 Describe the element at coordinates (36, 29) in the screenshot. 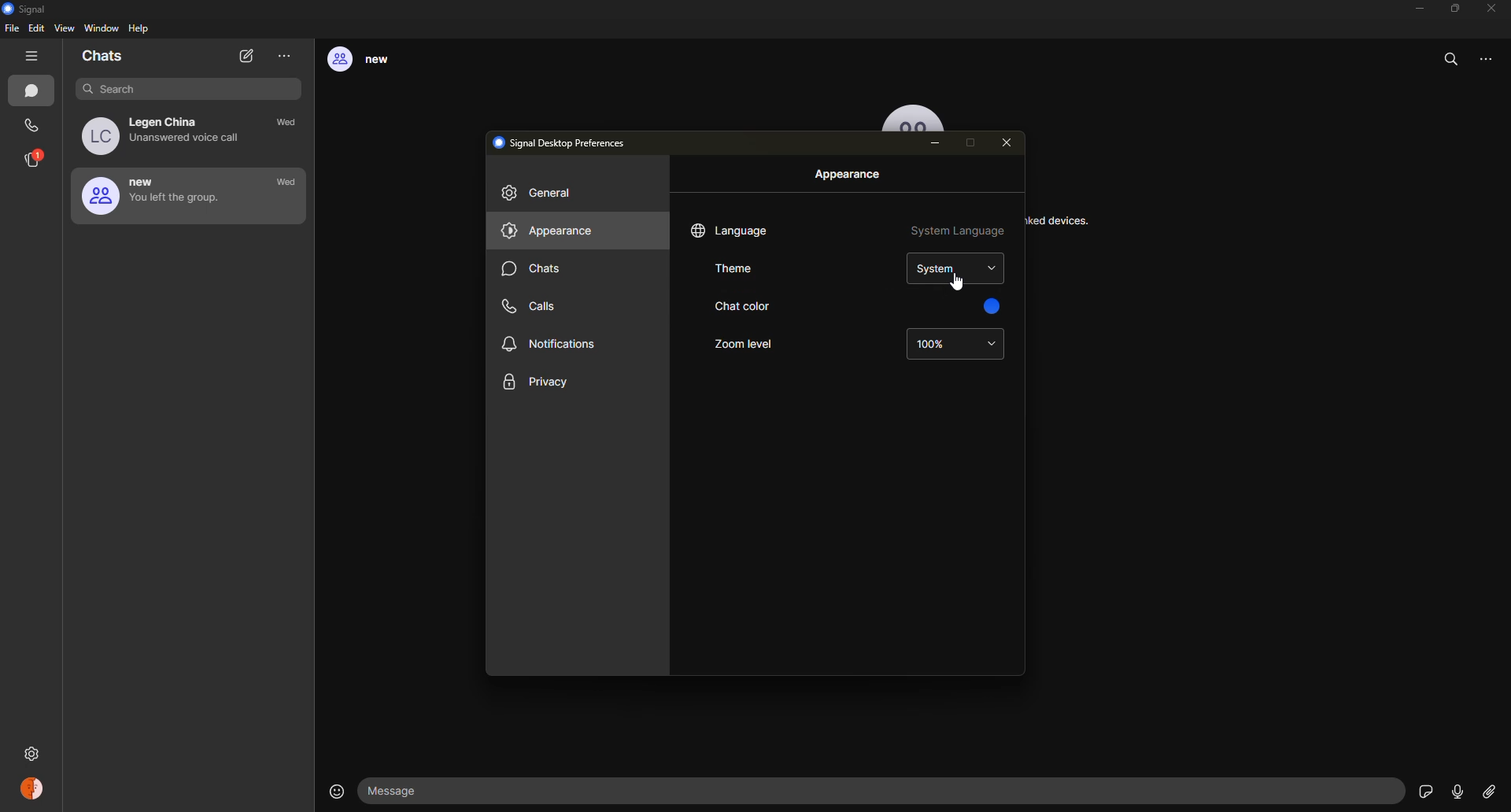

I see `edit` at that location.